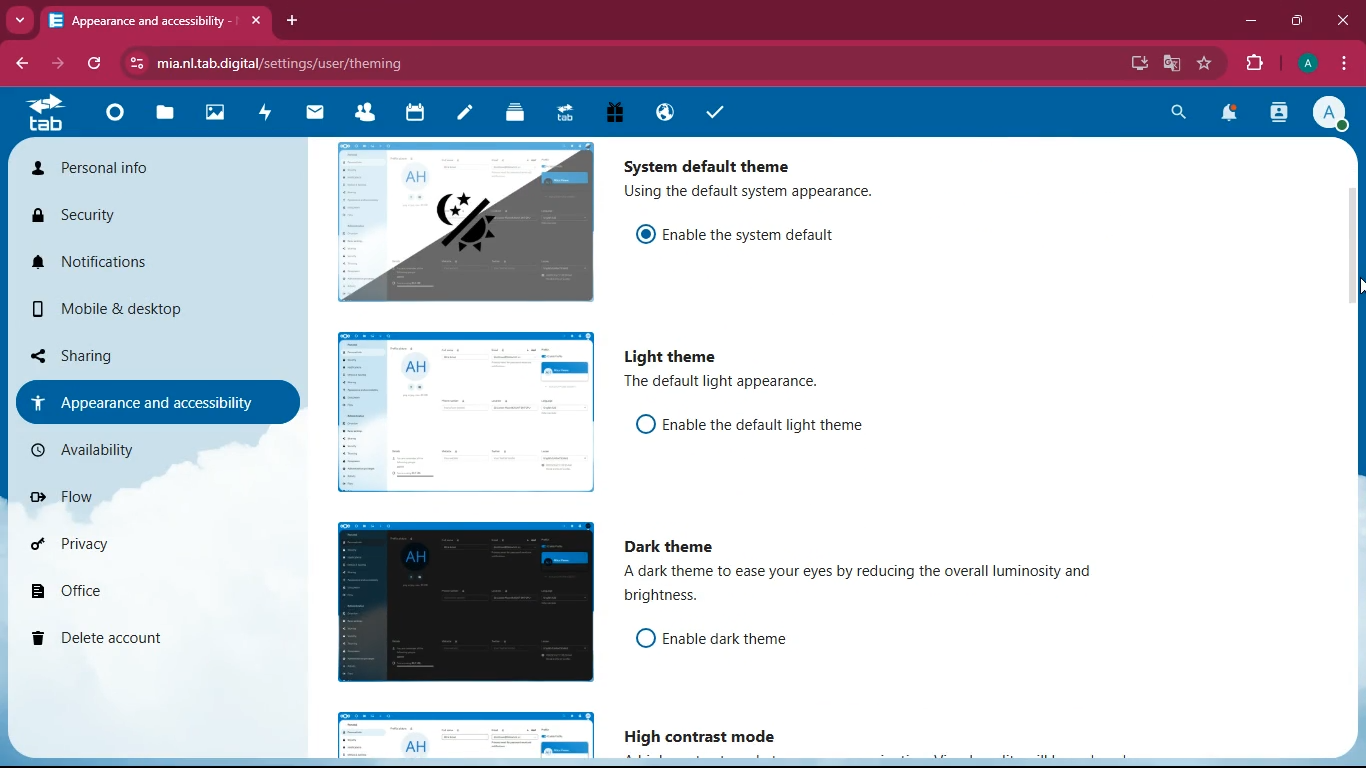 This screenshot has height=768, width=1366. What do you see at coordinates (167, 116) in the screenshot?
I see `files` at bounding box center [167, 116].